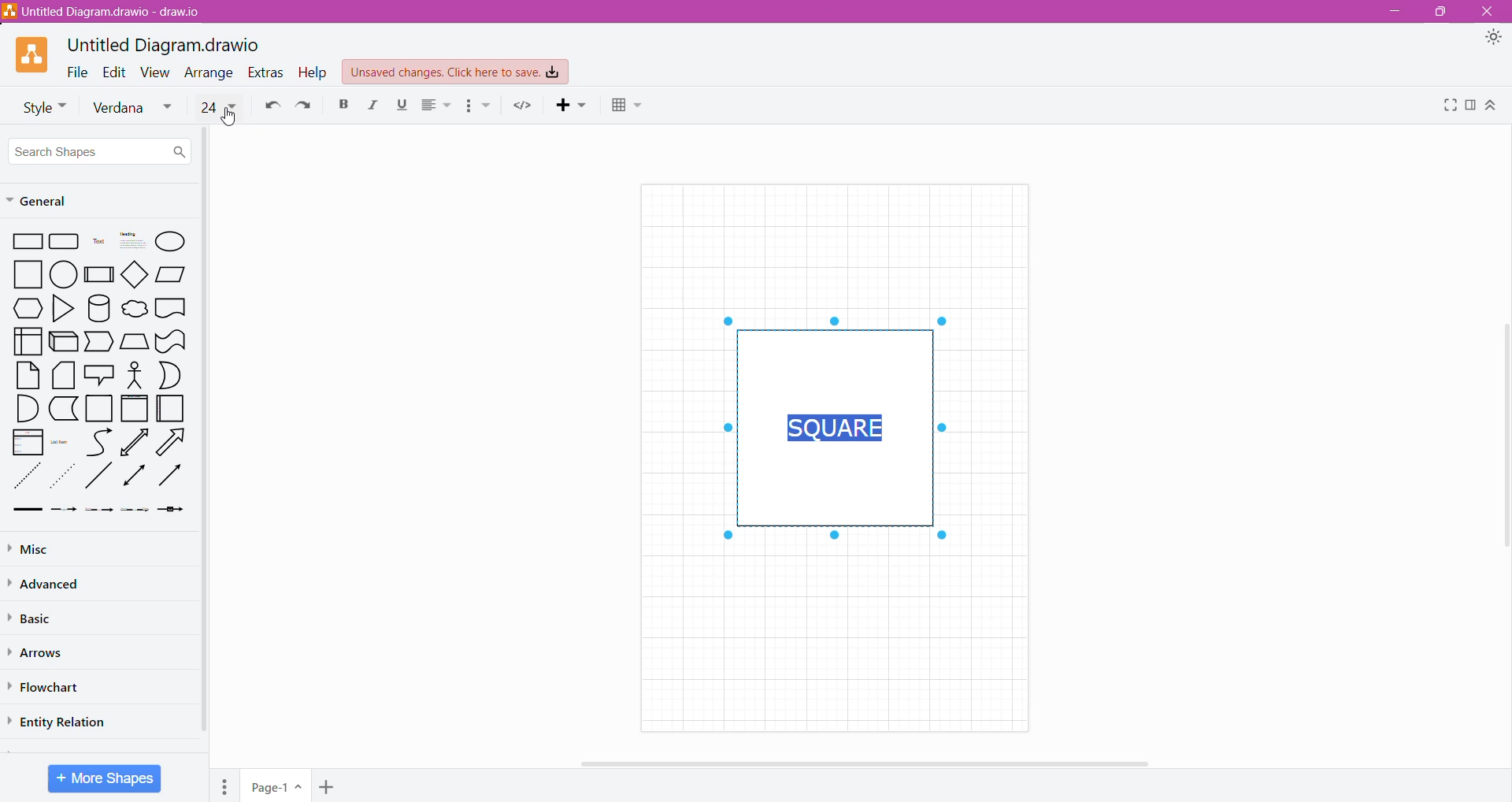  Describe the element at coordinates (164, 45) in the screenshot. I see `Untitled Diagram.drawio` at that location.